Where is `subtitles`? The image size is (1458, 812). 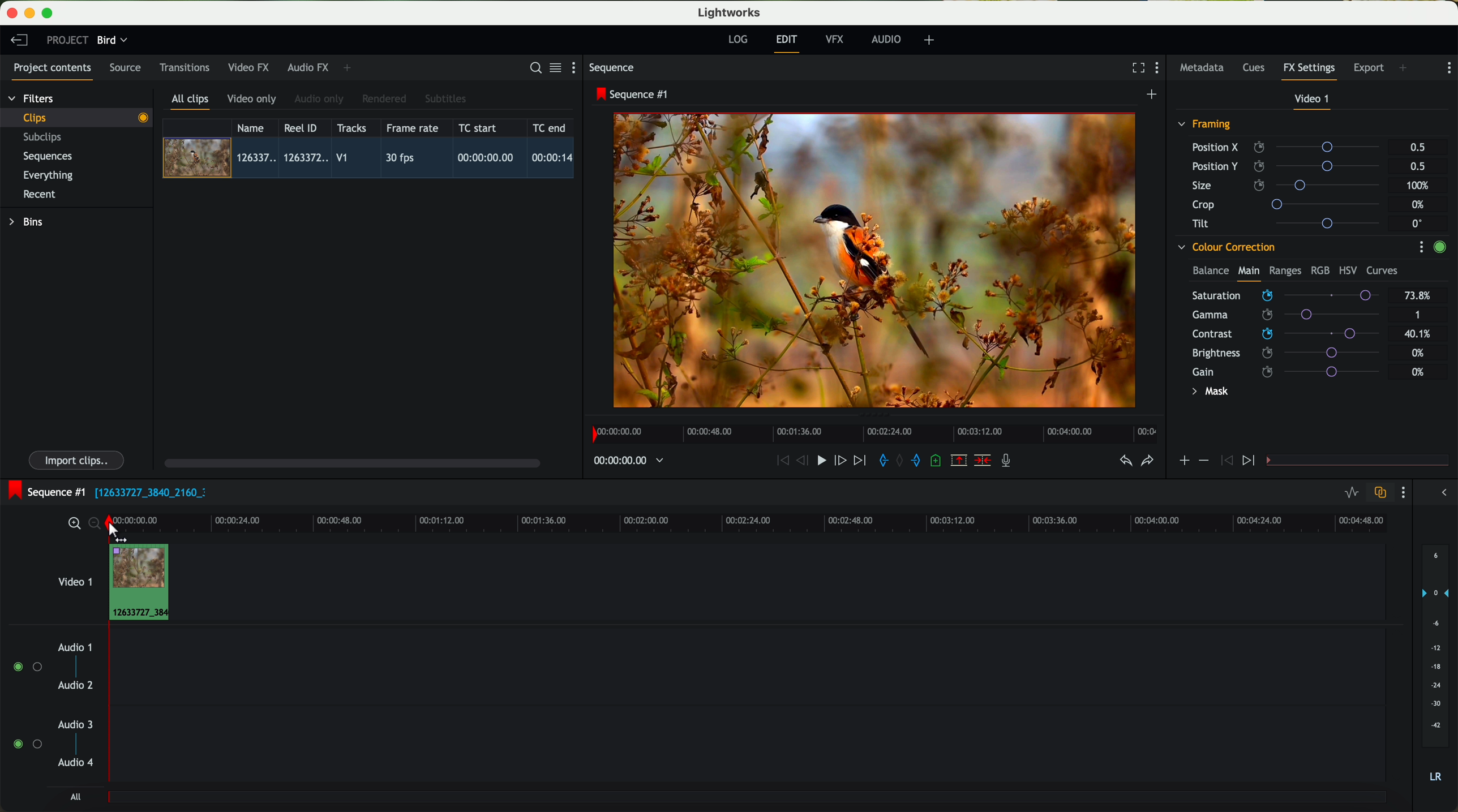 subtitles is located at coordinates (444, 99).